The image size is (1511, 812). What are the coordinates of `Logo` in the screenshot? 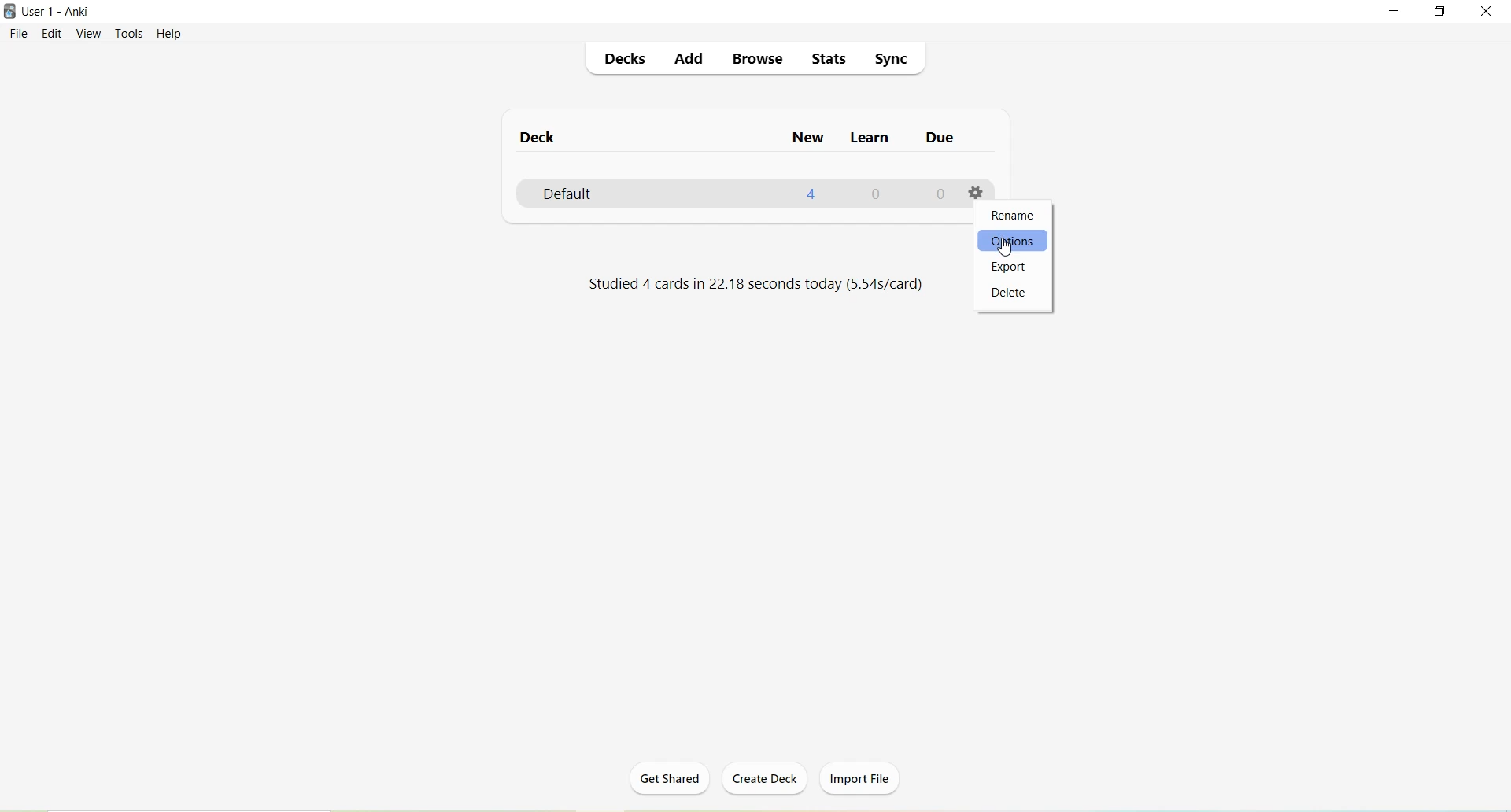 It's located at (9, 12).